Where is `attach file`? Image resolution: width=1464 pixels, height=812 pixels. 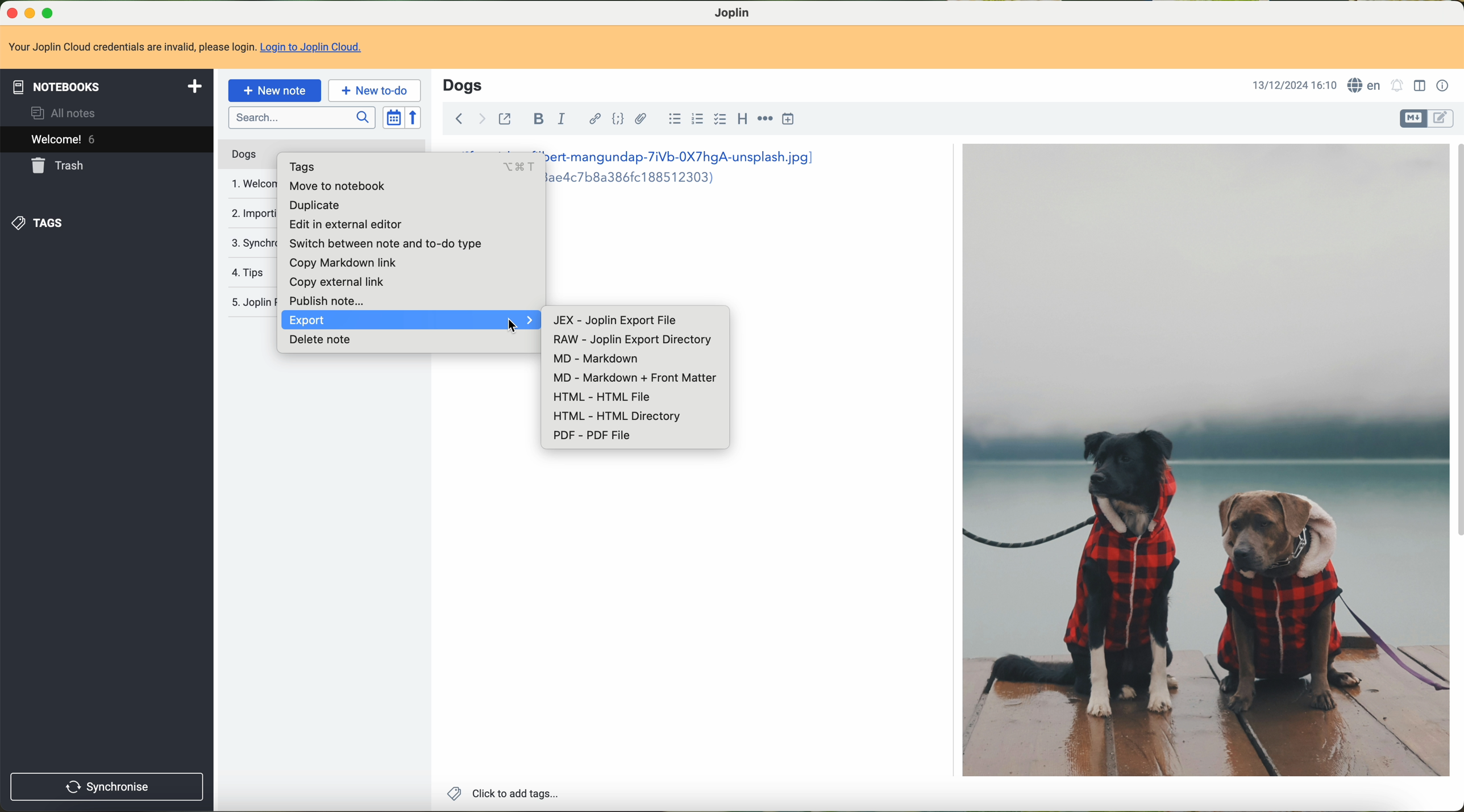 attach file is located at coordinates (640, 119).